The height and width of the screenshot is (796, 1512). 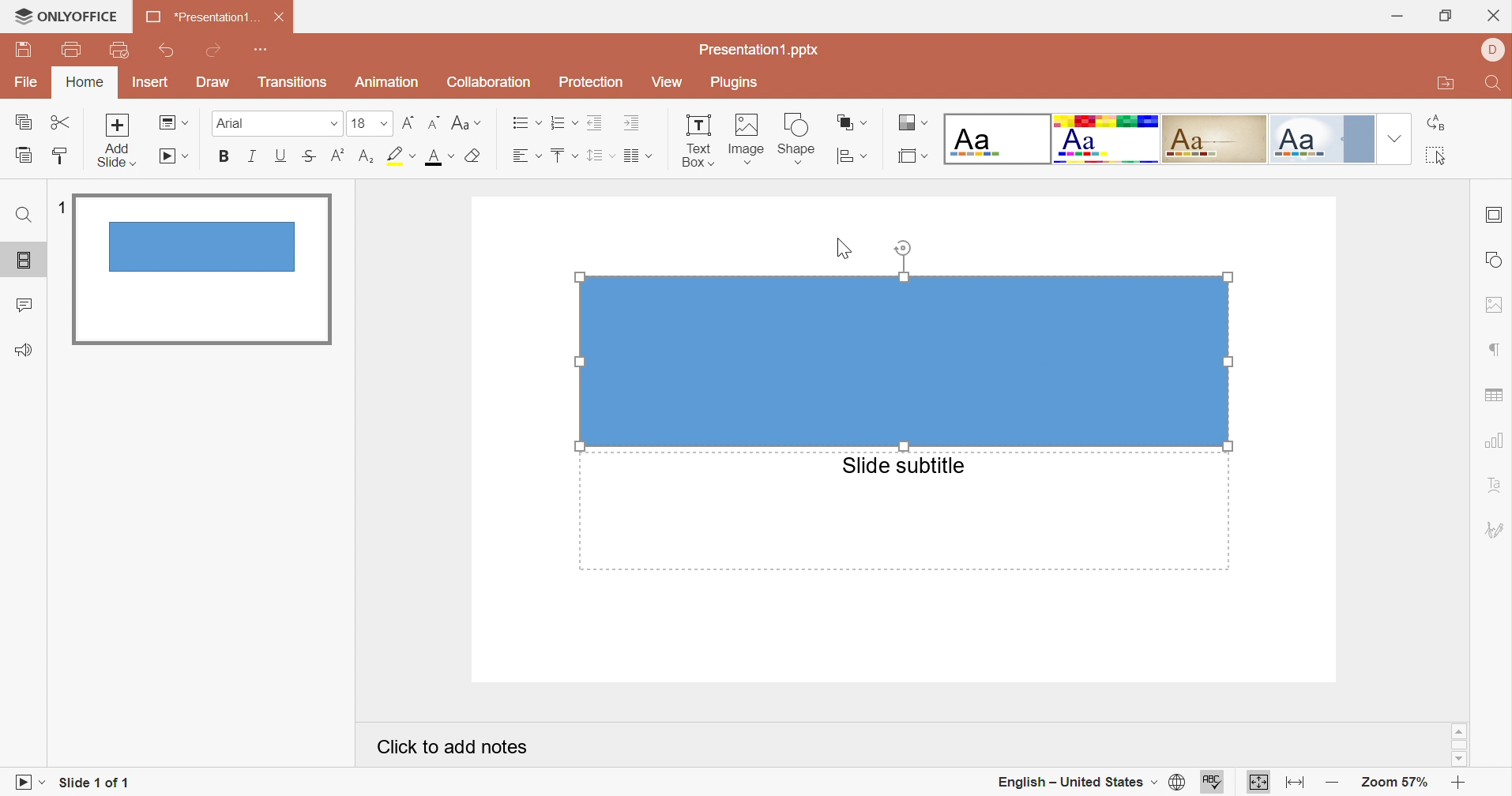 What do you see at coordinates (732, 83) in the screenshot?
I see `Plugins` at bounding box center [732, 83].